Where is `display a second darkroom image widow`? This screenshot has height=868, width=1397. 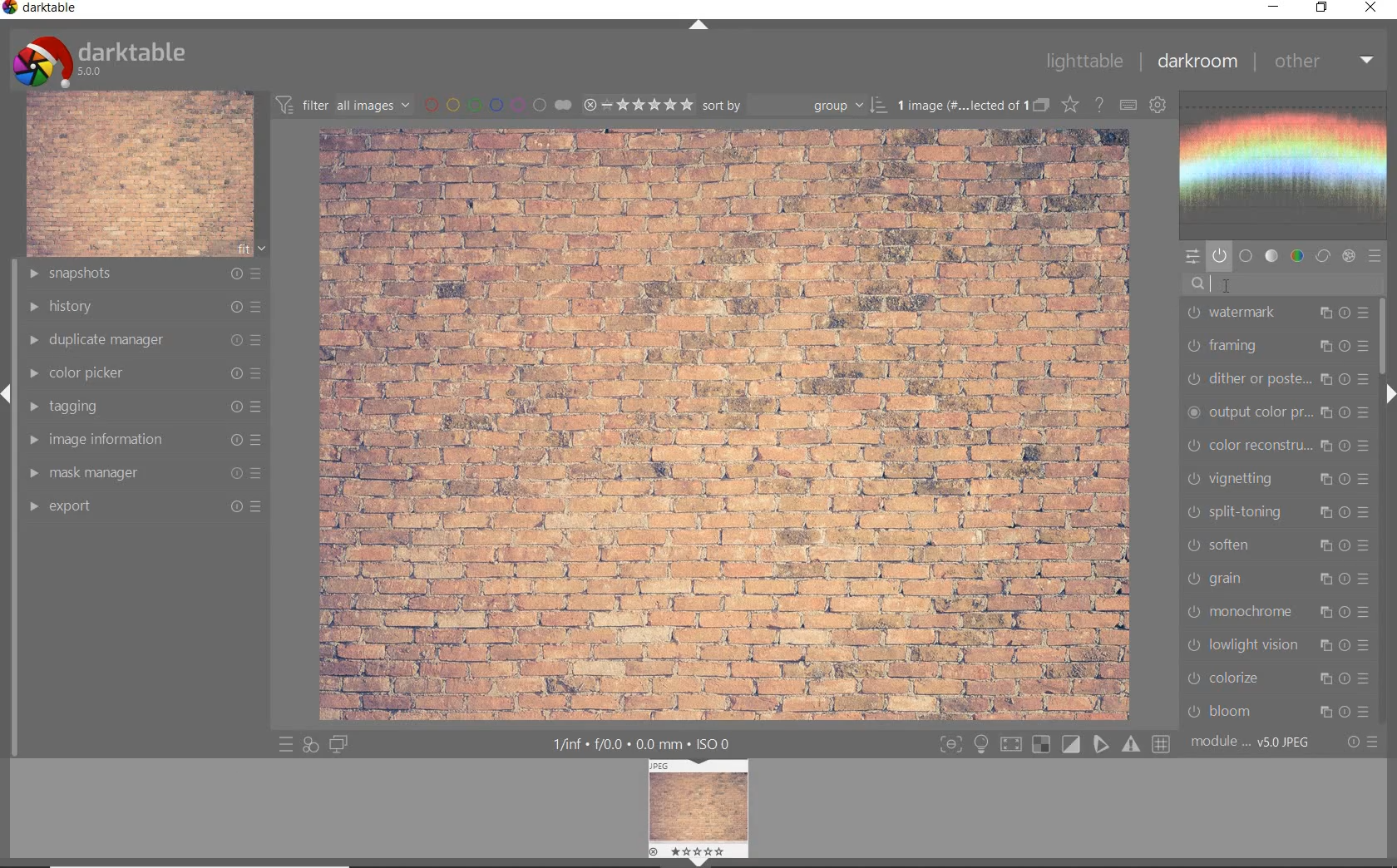 display a second darkroom image widow is located at coordinates (340, 744).